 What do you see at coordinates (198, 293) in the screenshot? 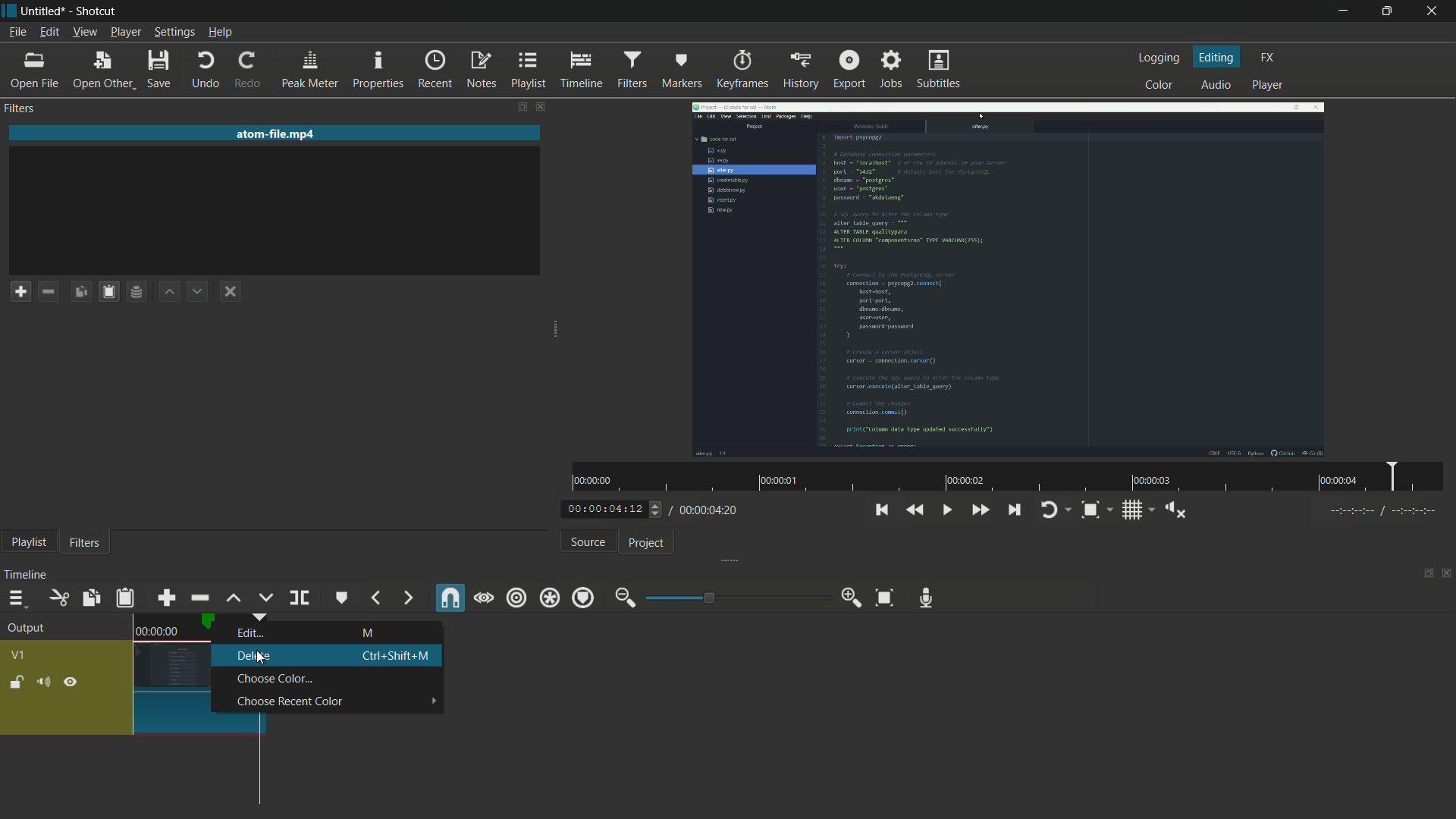
I see `move filter down` at bounding box center [198, 293].